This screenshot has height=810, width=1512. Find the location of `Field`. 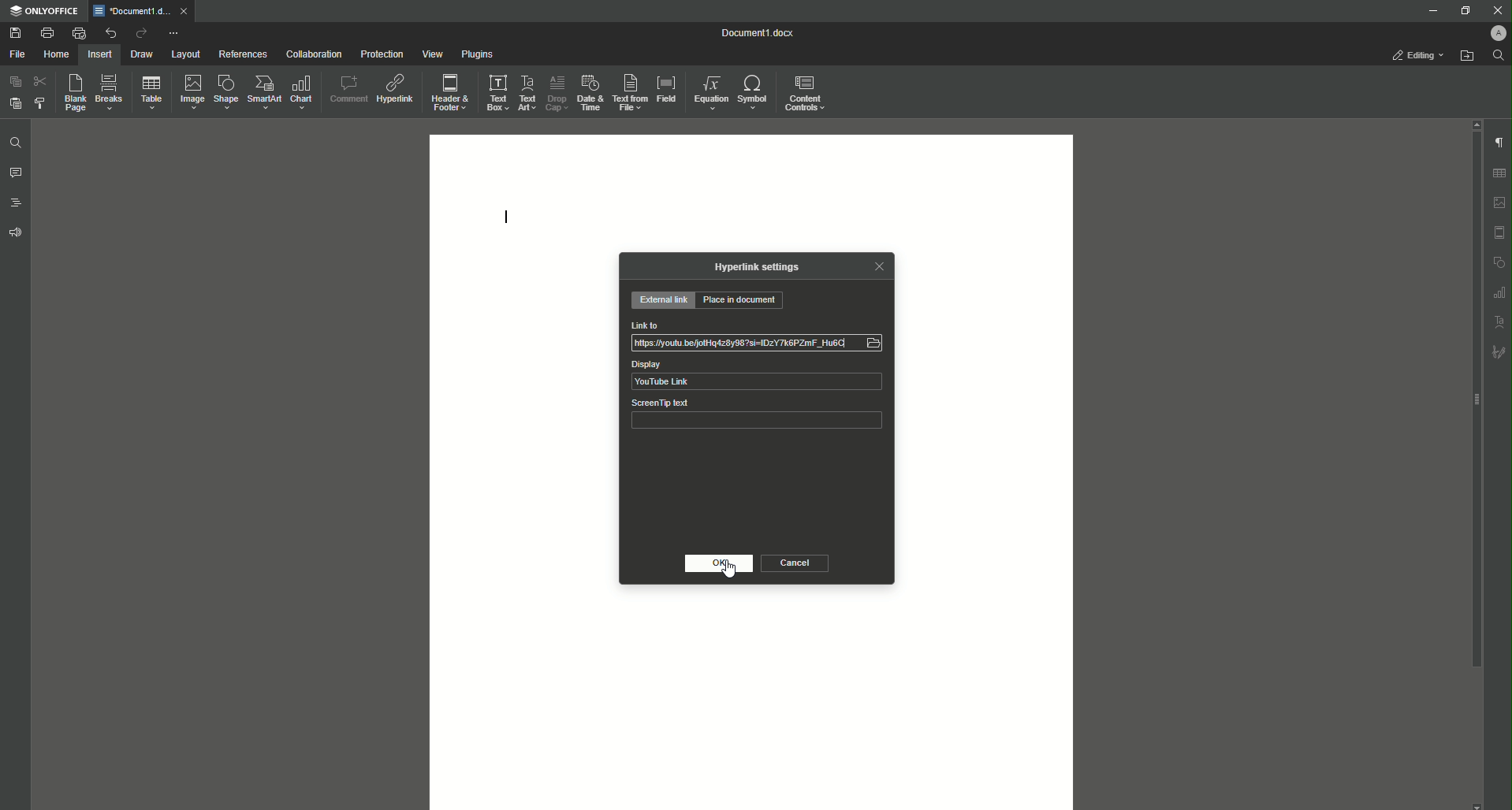

Field is located at coordinates (667, 89).